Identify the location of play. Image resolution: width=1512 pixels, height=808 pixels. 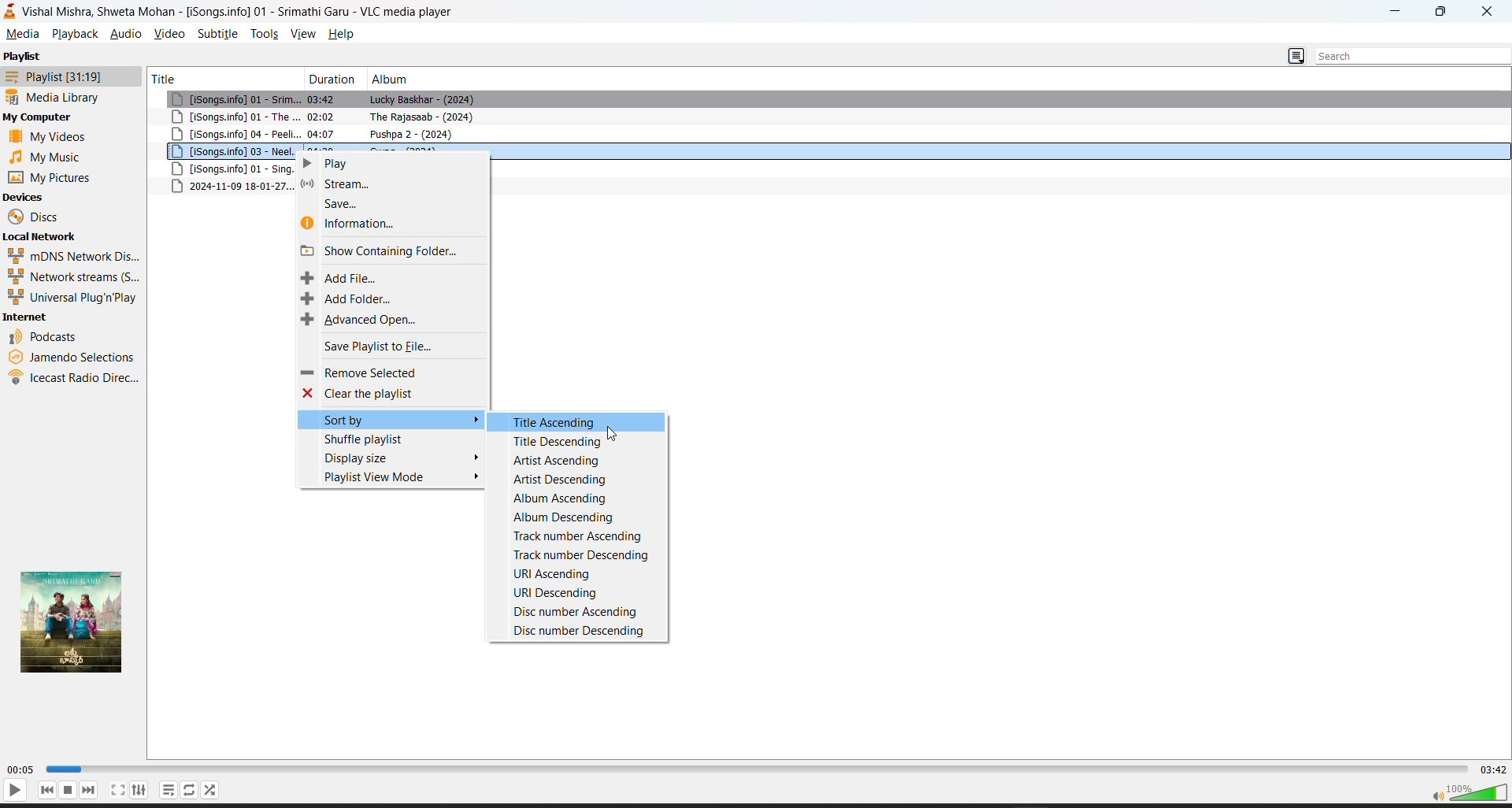
(393, 163).